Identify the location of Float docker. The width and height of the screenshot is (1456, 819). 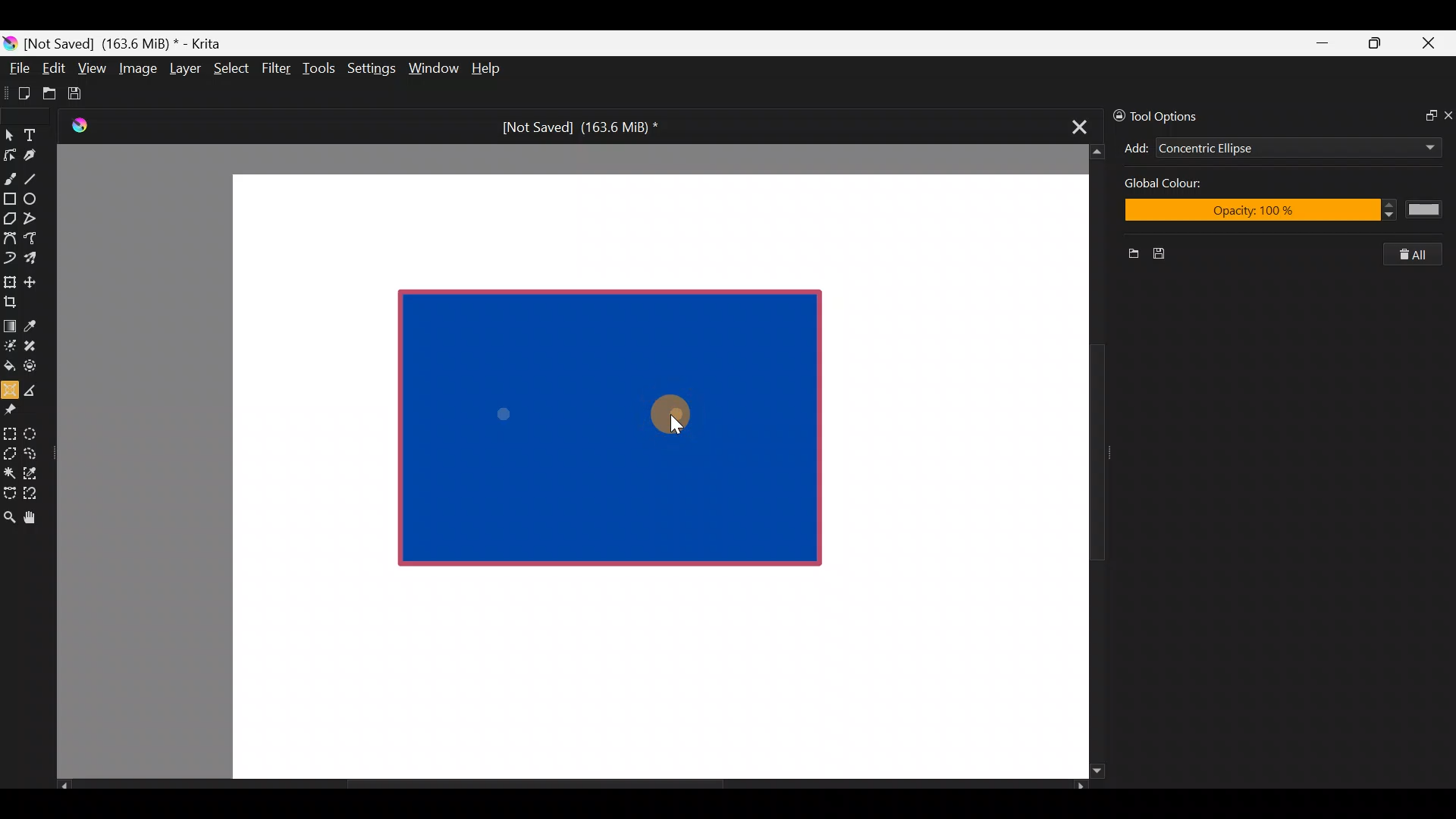
(1424, 114).